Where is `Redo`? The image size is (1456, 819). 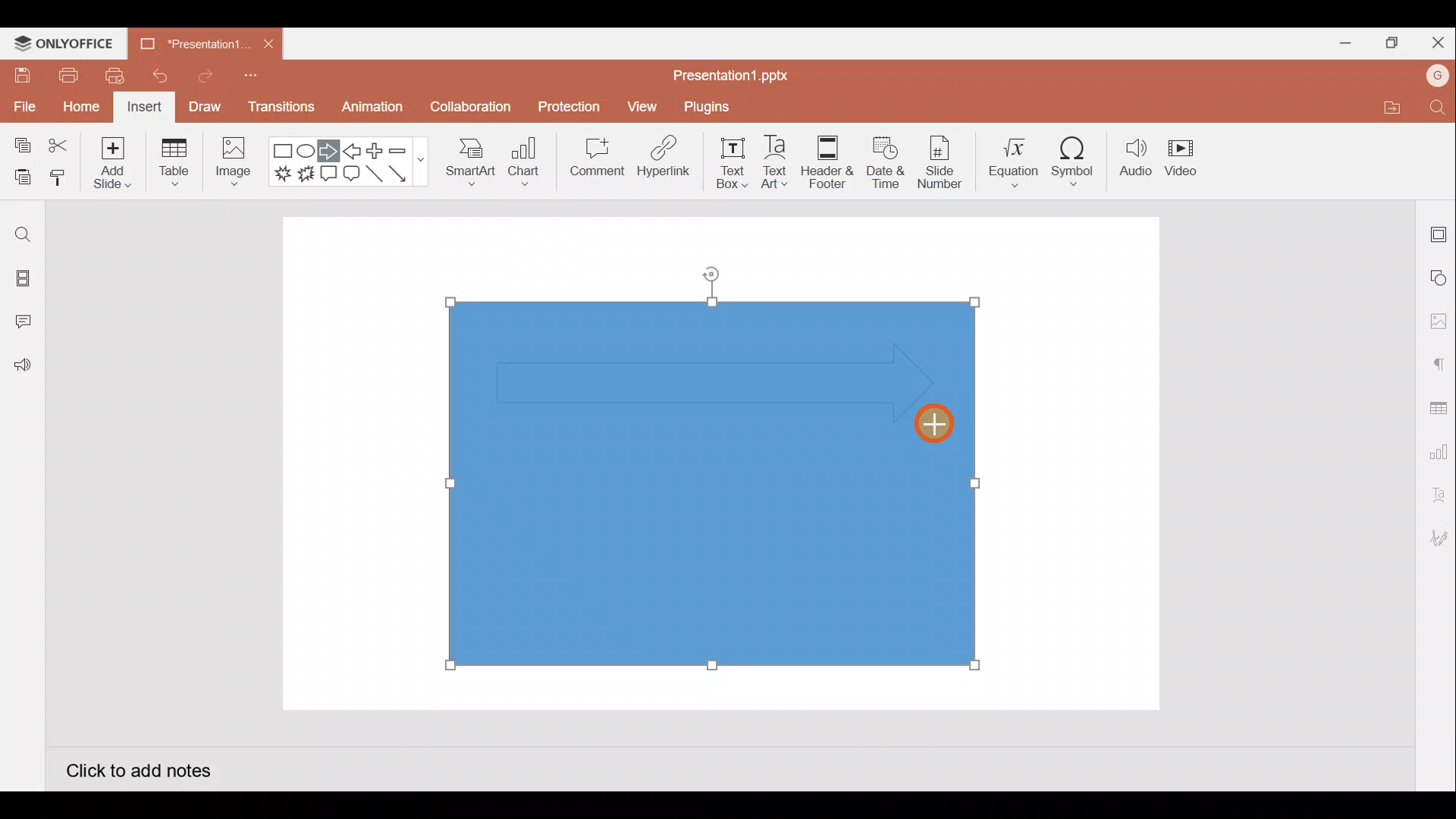
Redo is located at coordinates (199, 75).